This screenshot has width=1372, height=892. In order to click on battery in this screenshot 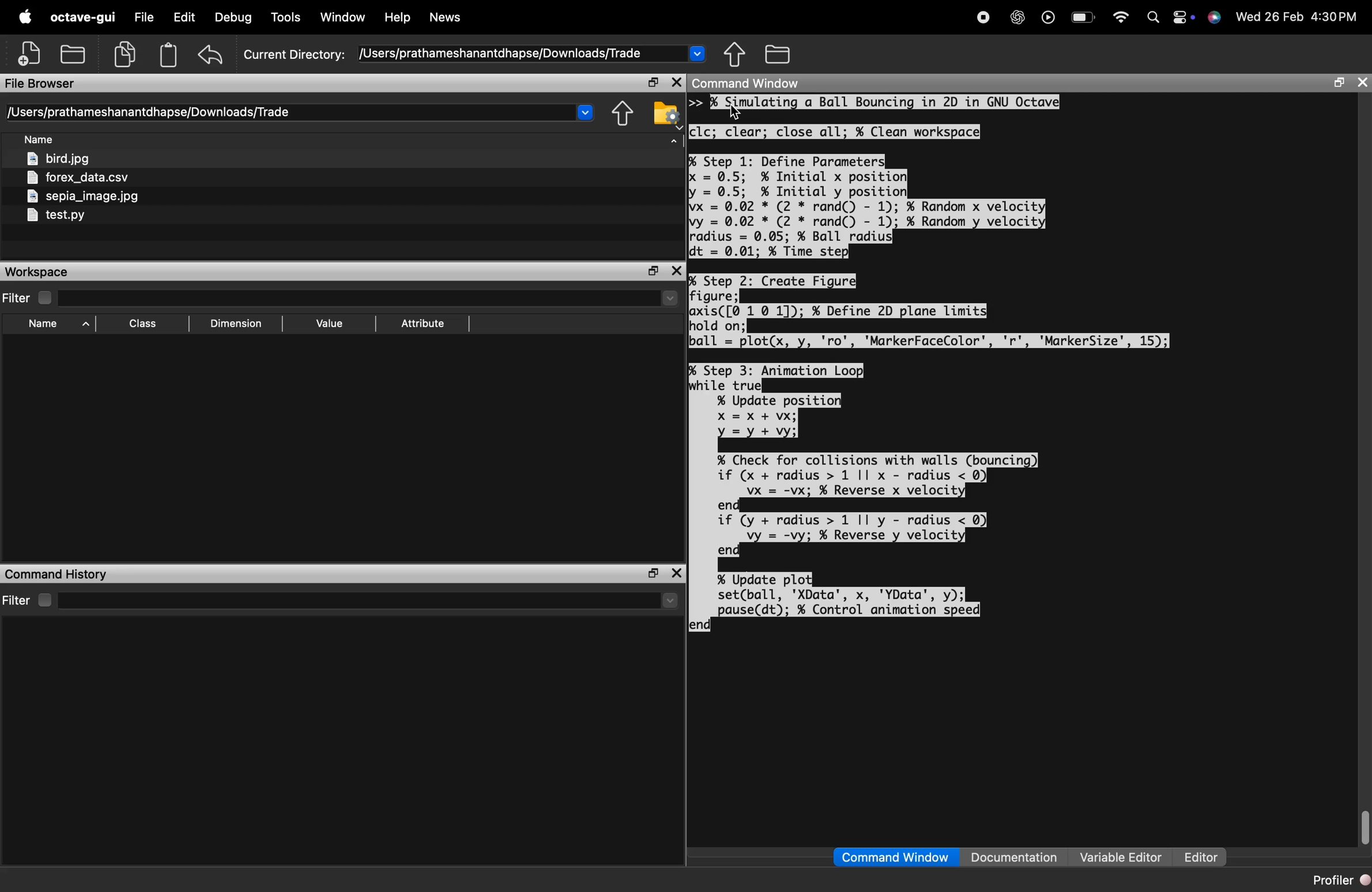, I will do `click(1083, 17)`.